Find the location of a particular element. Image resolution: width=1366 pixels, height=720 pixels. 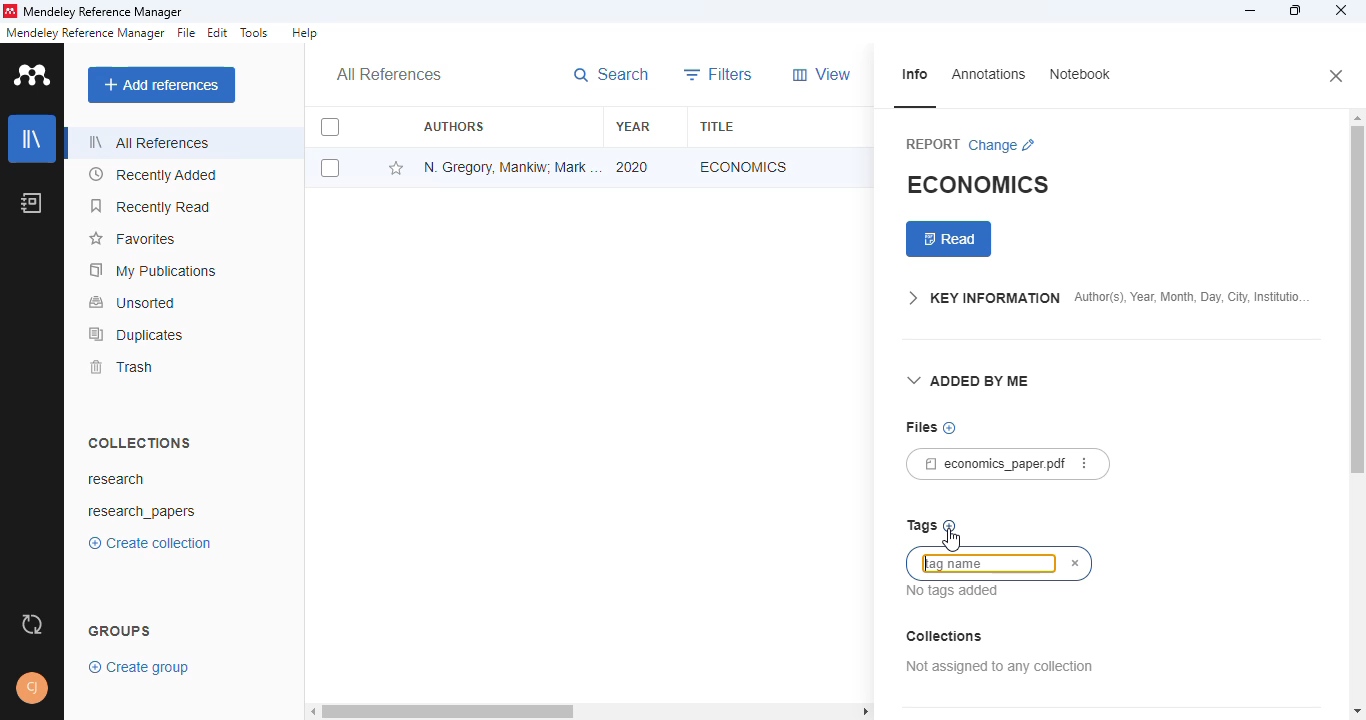

authors is located at coordinates (454, 125).